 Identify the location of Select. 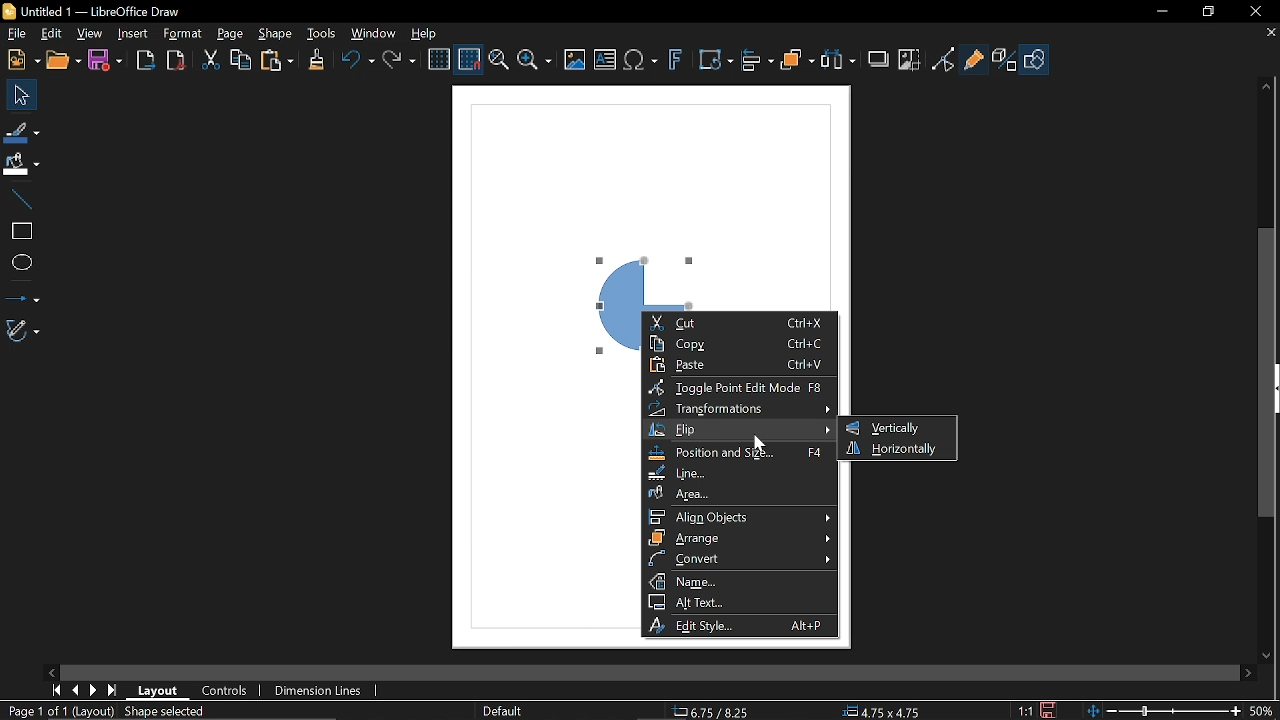
(22, 95).